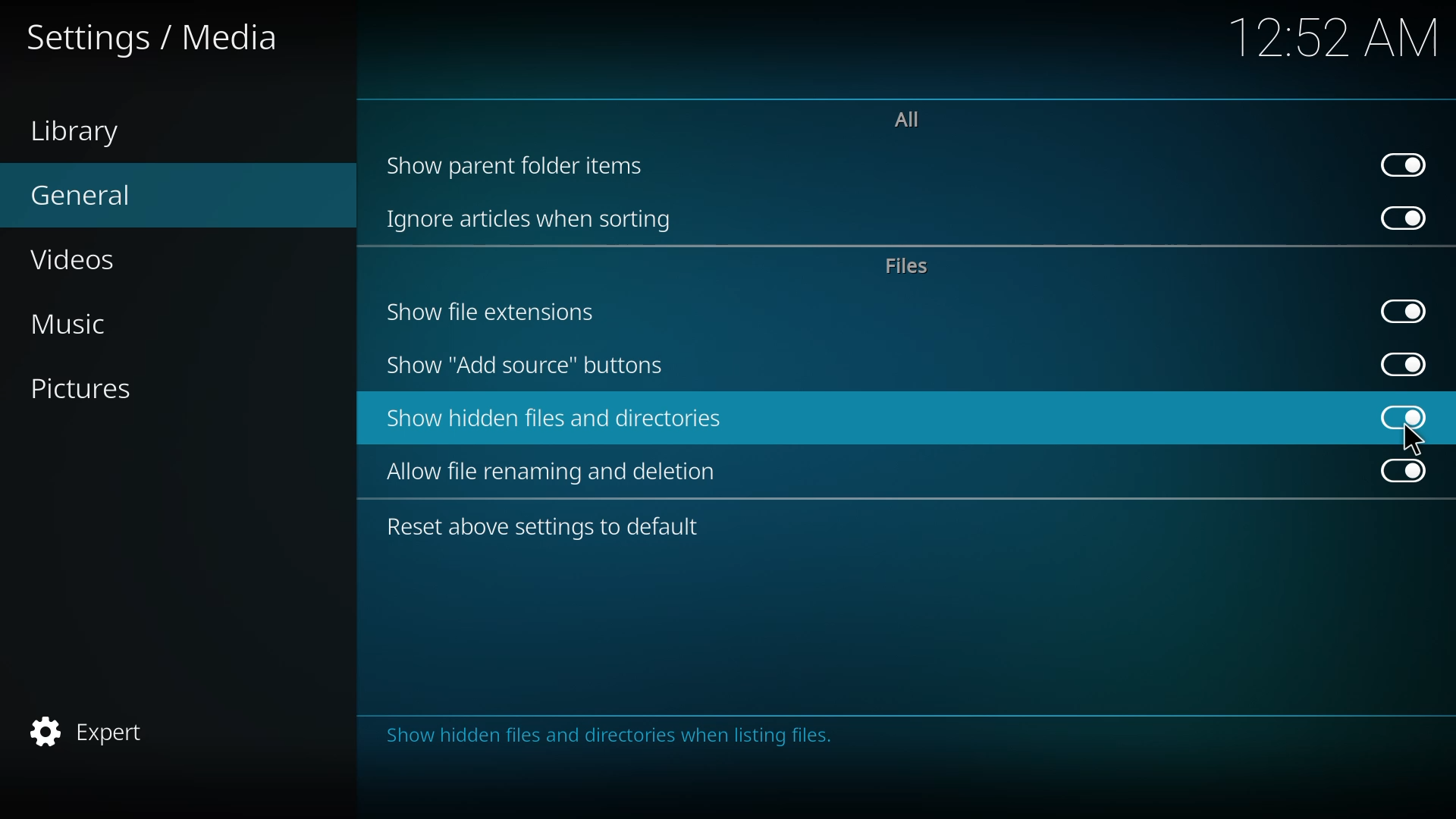 This screenshot has width=1456, height=819. I want to click on all, so click(912, 121).